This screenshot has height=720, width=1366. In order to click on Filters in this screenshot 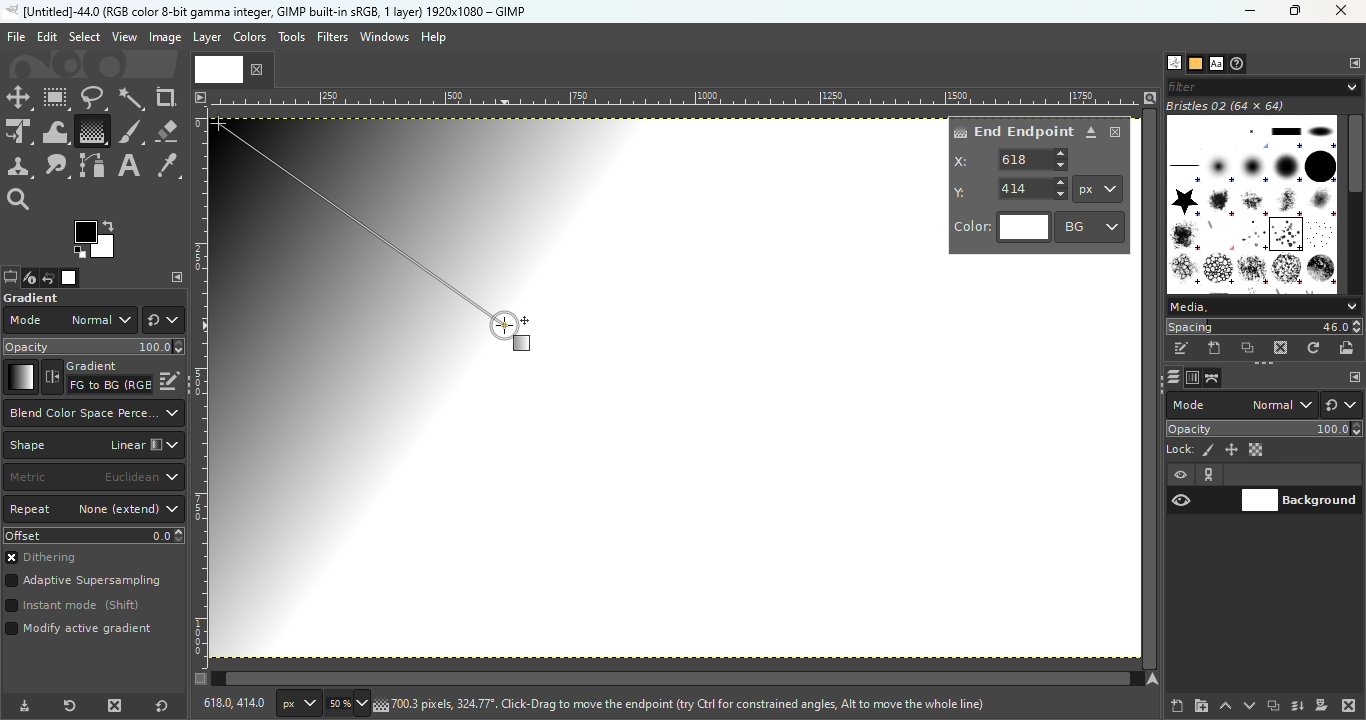, I will do `click(333, 37)`.